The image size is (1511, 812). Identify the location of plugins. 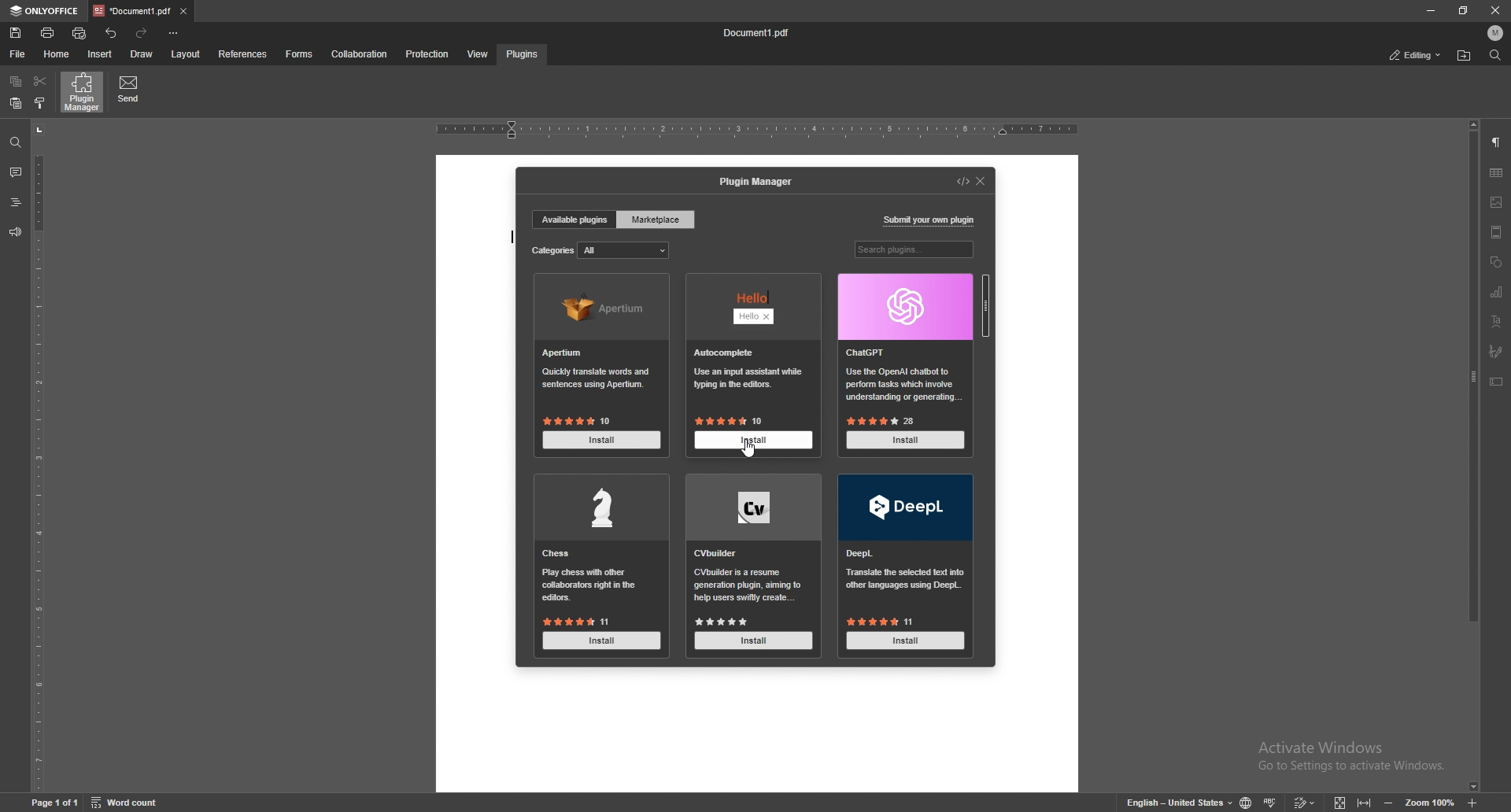
(523, 54).